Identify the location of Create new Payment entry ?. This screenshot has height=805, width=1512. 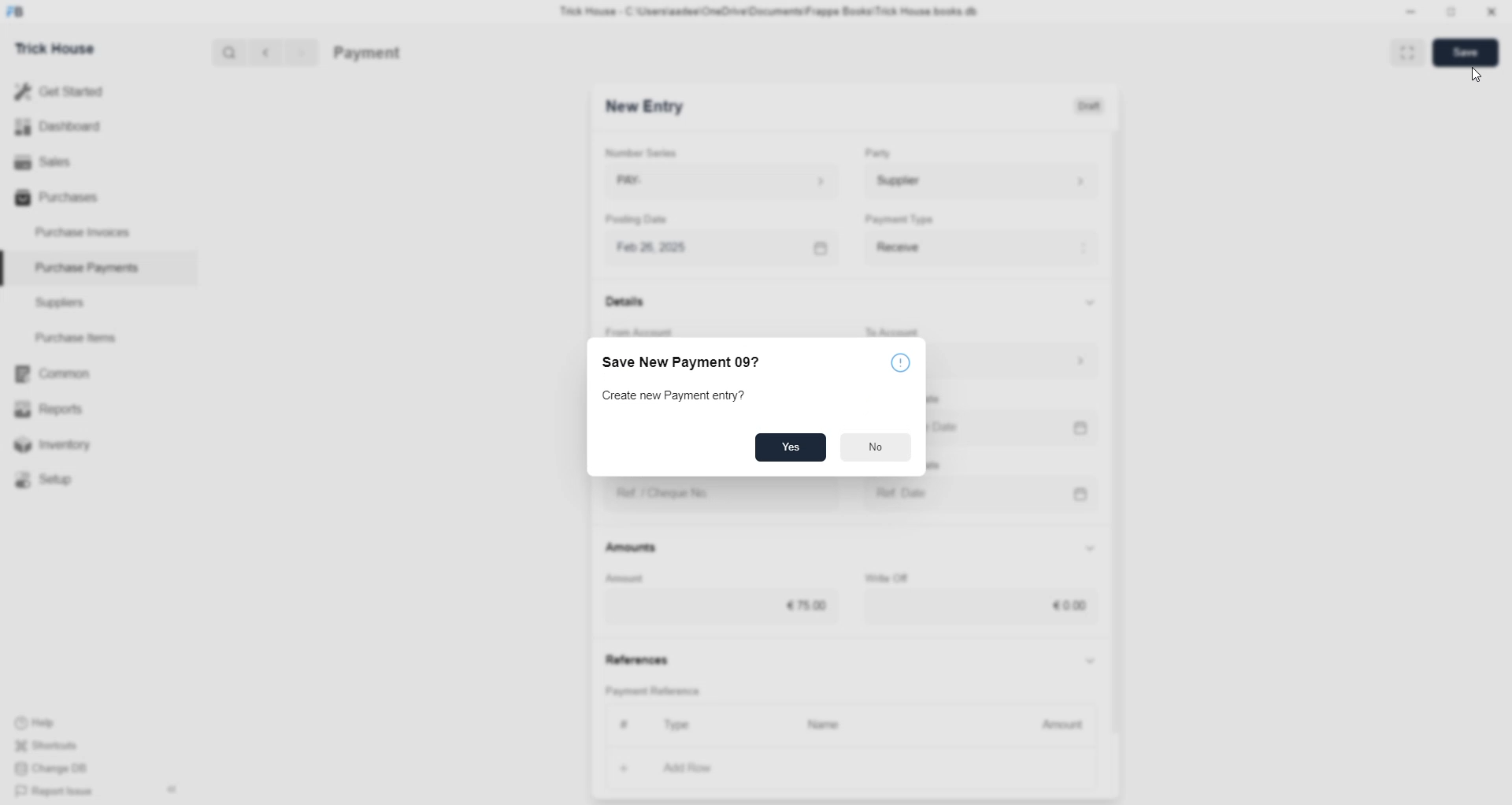
(676, 397).